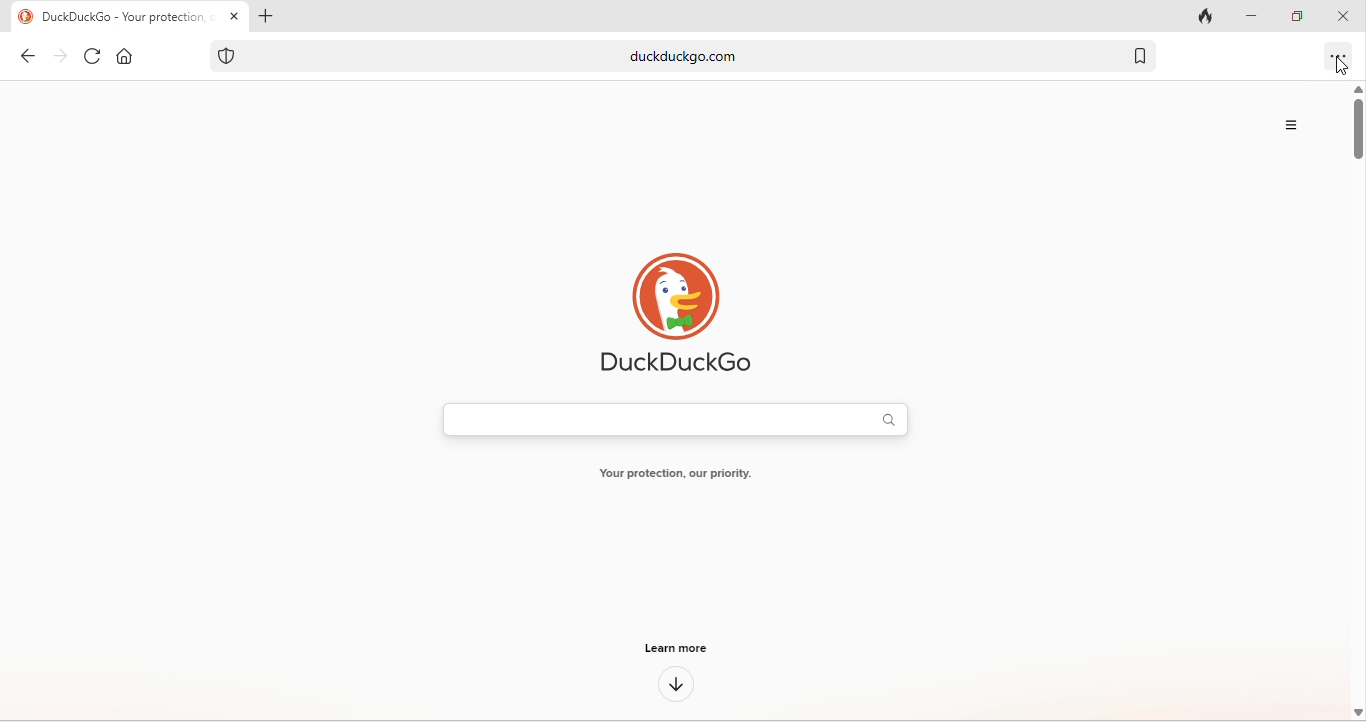 The image size is (1366, 722). Describe the element at coordinates (1343, 67) in the screenshot. I see `cursor` at that location.